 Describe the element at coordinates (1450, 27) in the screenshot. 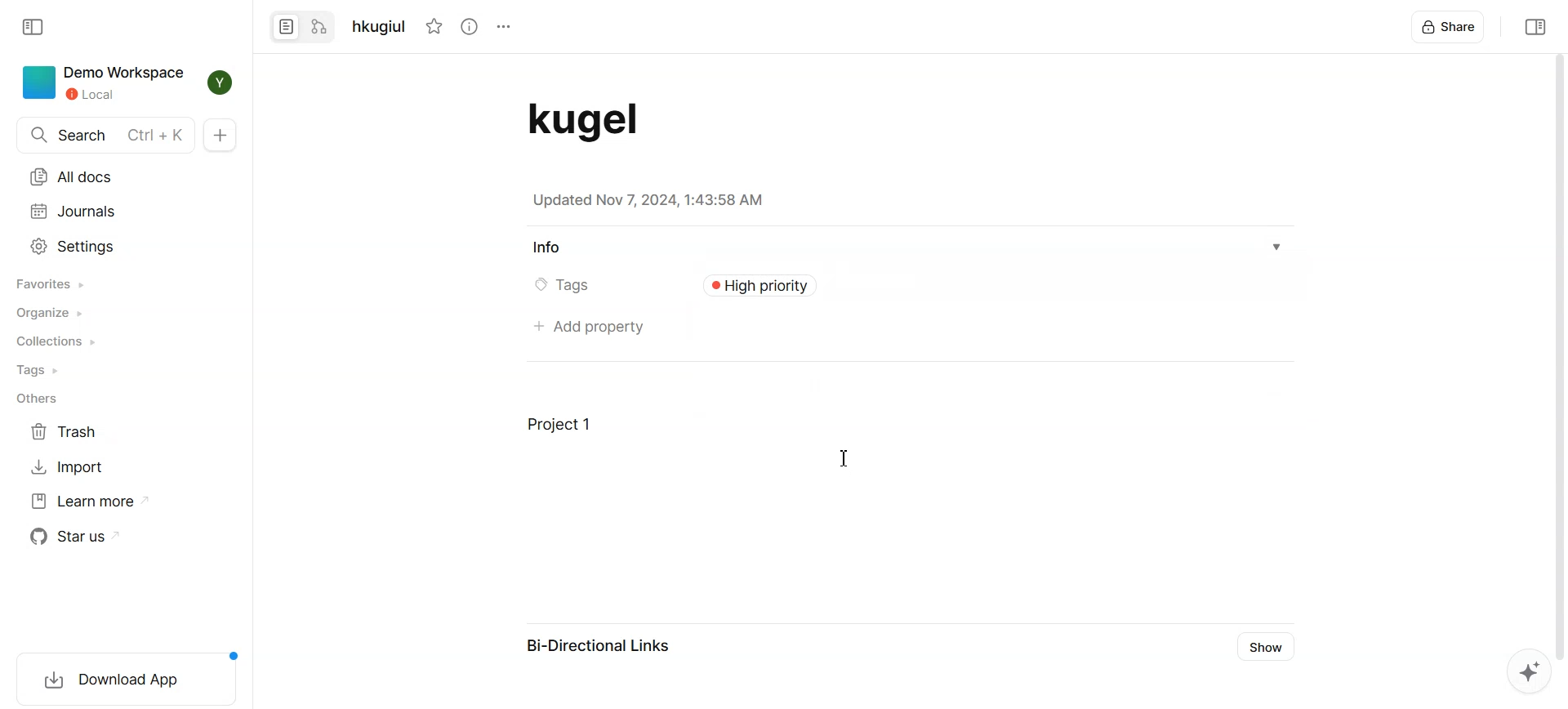

I see `Share` at that location.